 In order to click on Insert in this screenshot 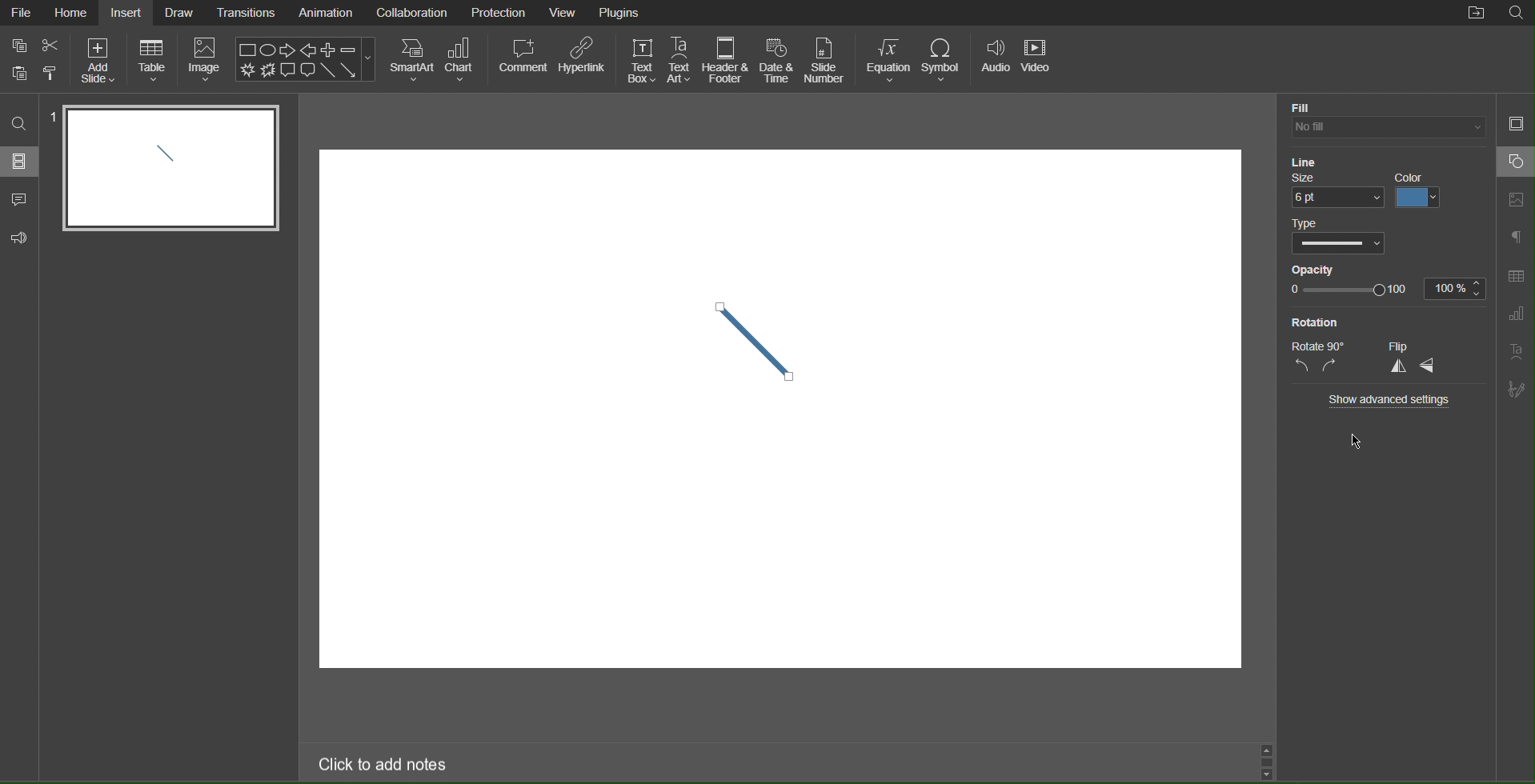, I will do `click(130, 13)`.